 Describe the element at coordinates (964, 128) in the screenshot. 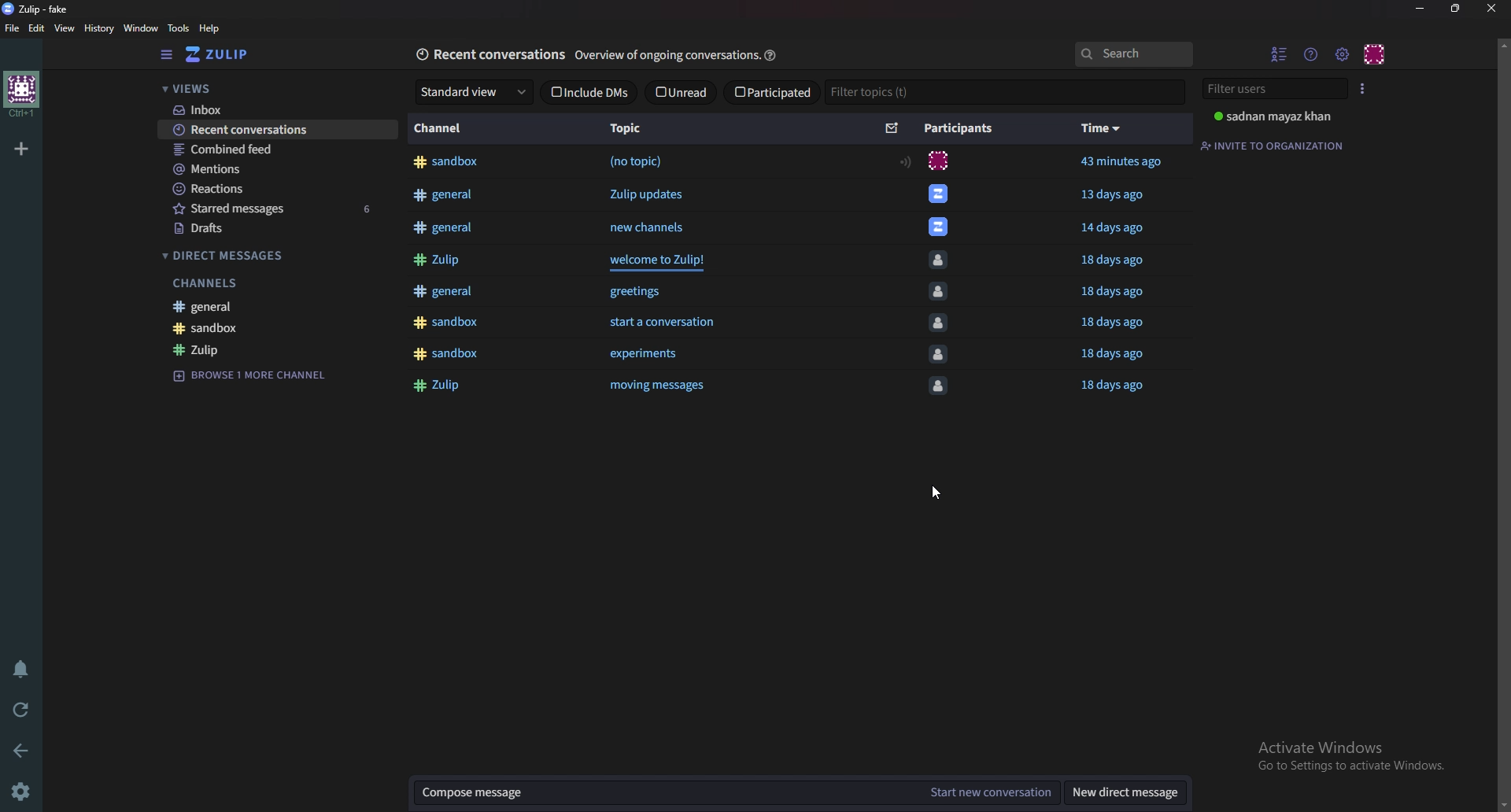

I see `Participants` at that location.